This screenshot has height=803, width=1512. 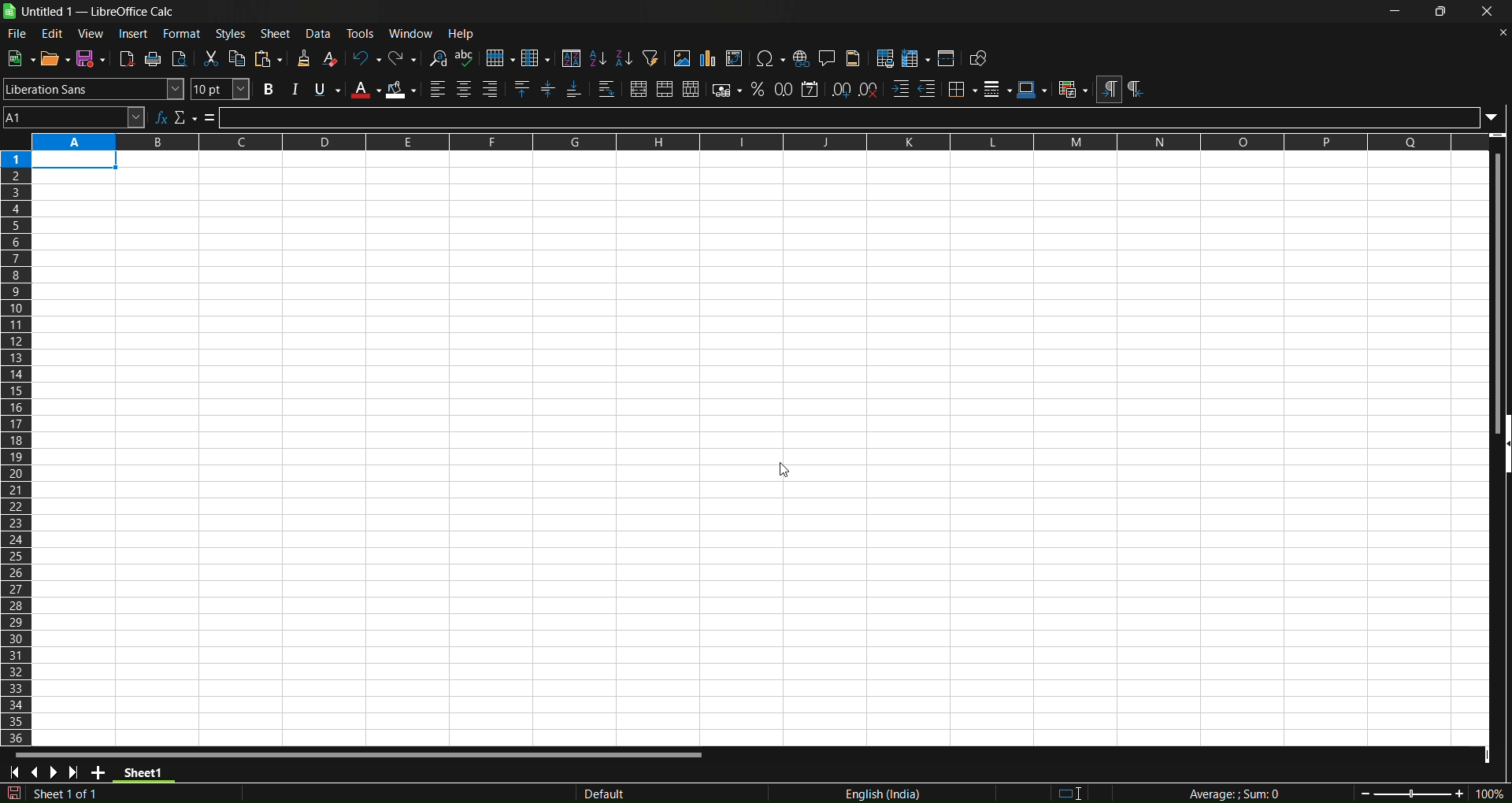 What do you see at coordinates (524, 90) in the screenshot?
I see `align top` at bounding box center [524, 90].